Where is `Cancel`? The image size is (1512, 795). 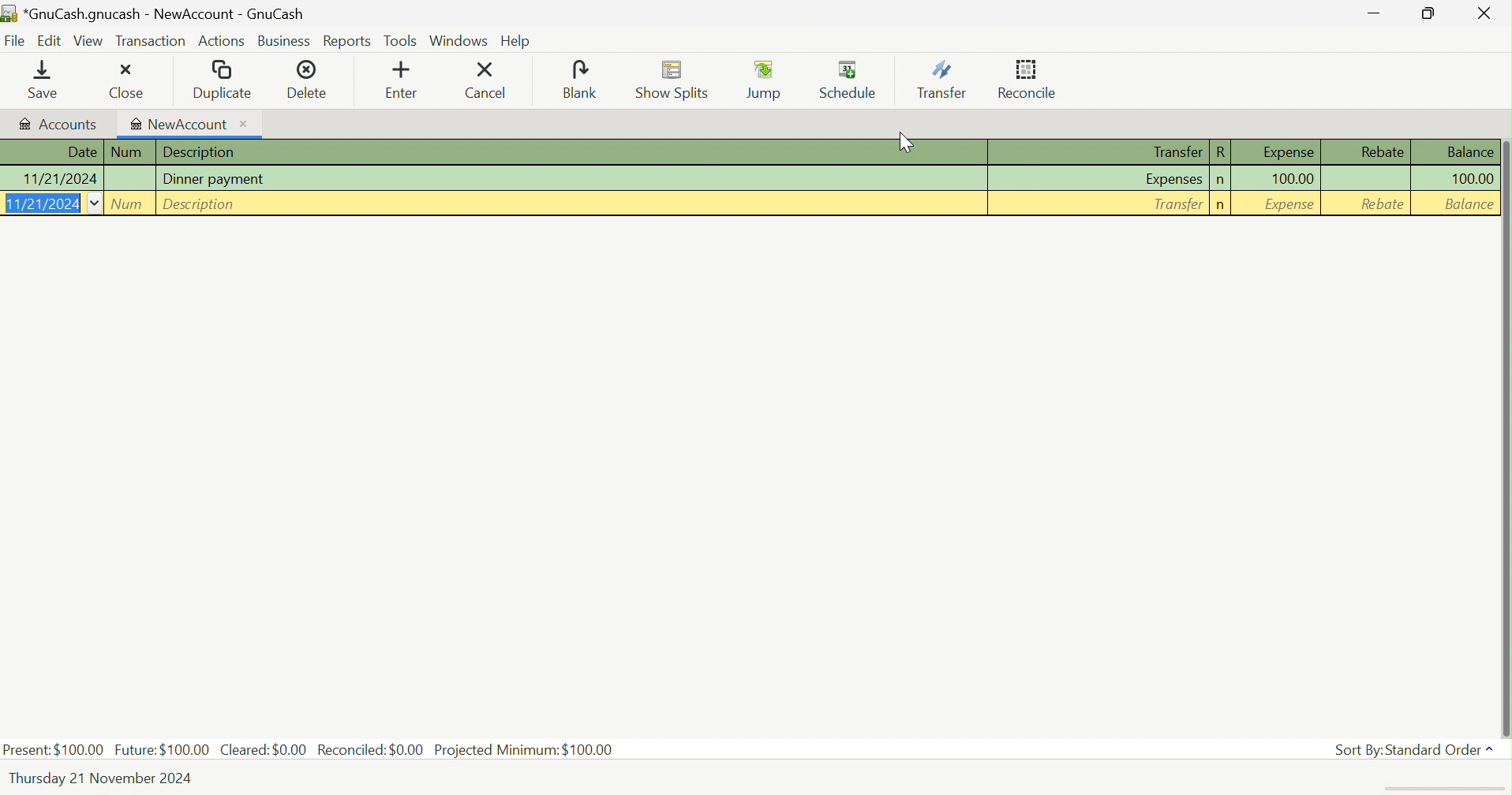 Cancel is located at coordinates (490, 80).